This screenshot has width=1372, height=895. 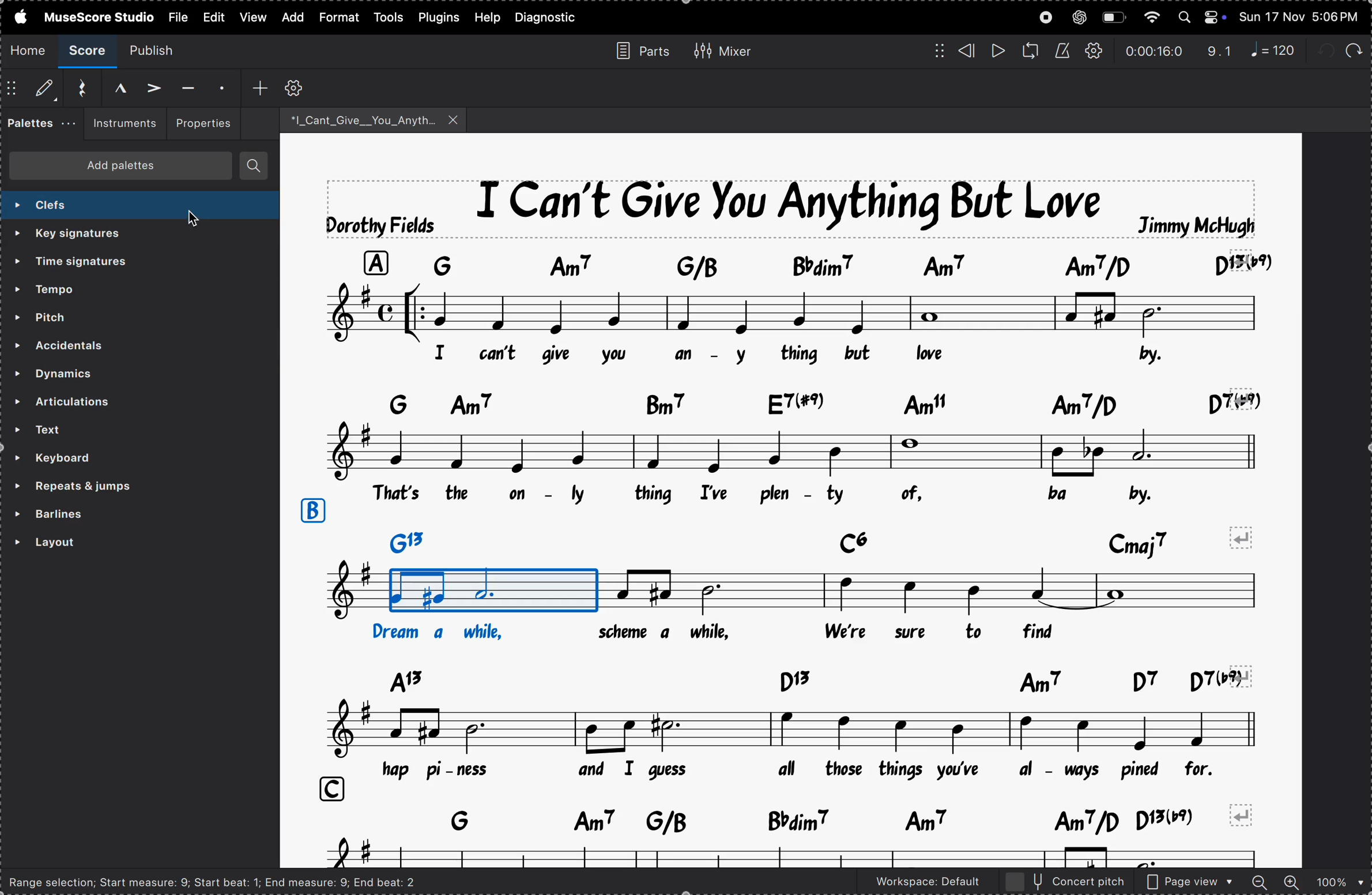 What do you see at coordinates (732, 633) in the screenshot?
I see `lyrics` at bounding box center [732, 633].